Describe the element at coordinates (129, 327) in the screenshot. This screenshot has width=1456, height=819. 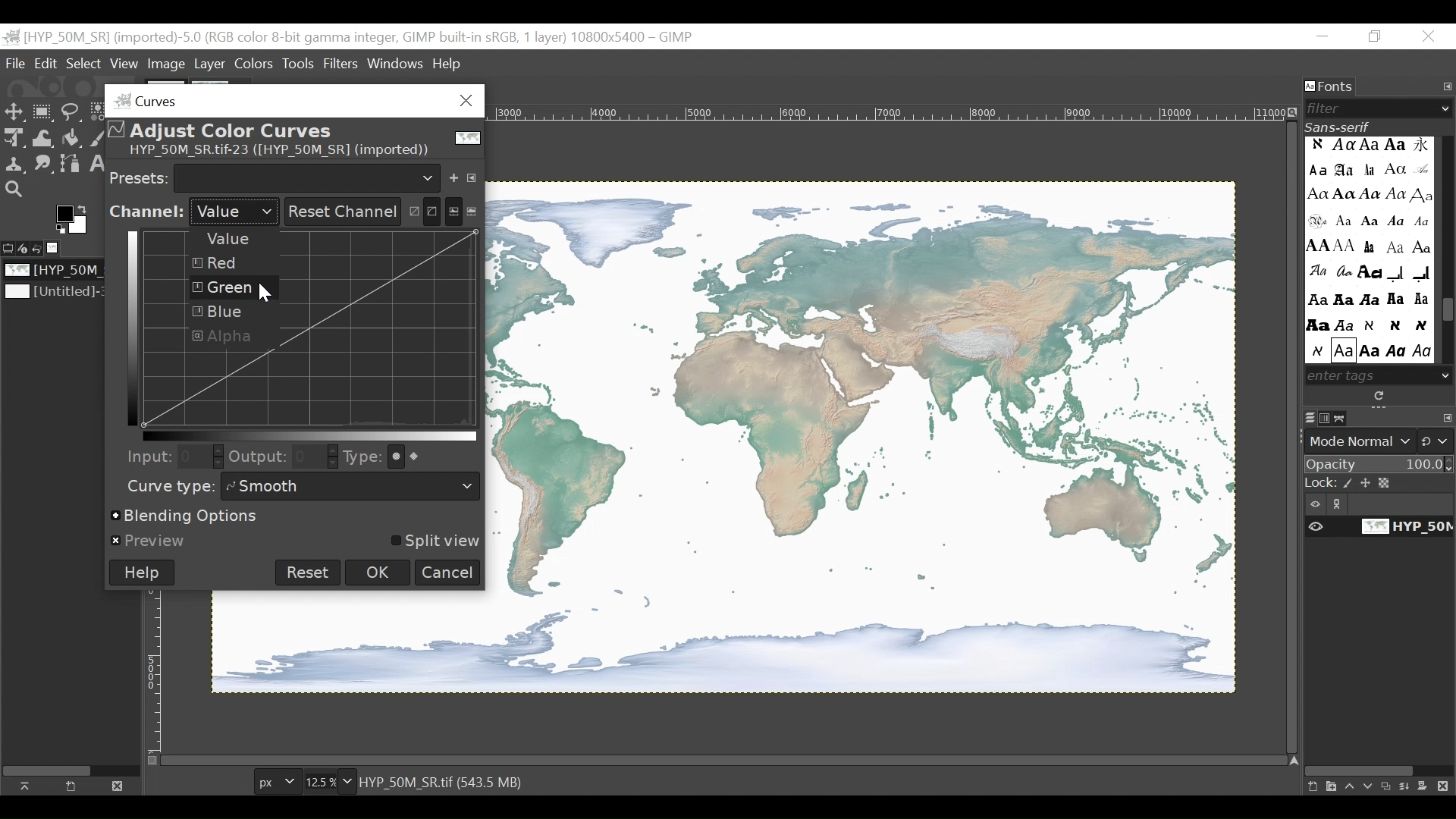
I see `Vertical Gradient bar` at that location.